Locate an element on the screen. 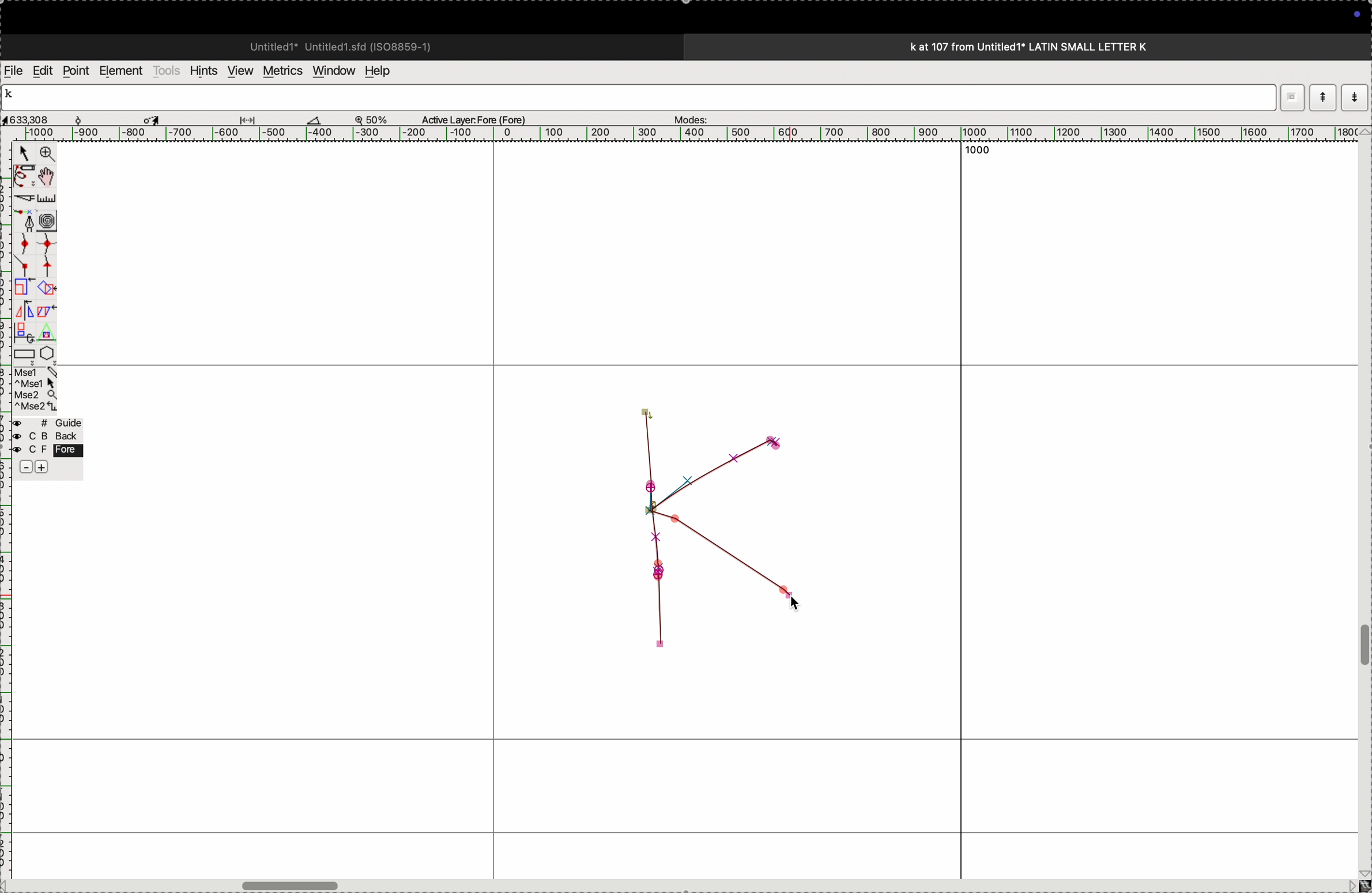 This screenshot has height=893, width=1372. file is located at coordinates (14, 71).